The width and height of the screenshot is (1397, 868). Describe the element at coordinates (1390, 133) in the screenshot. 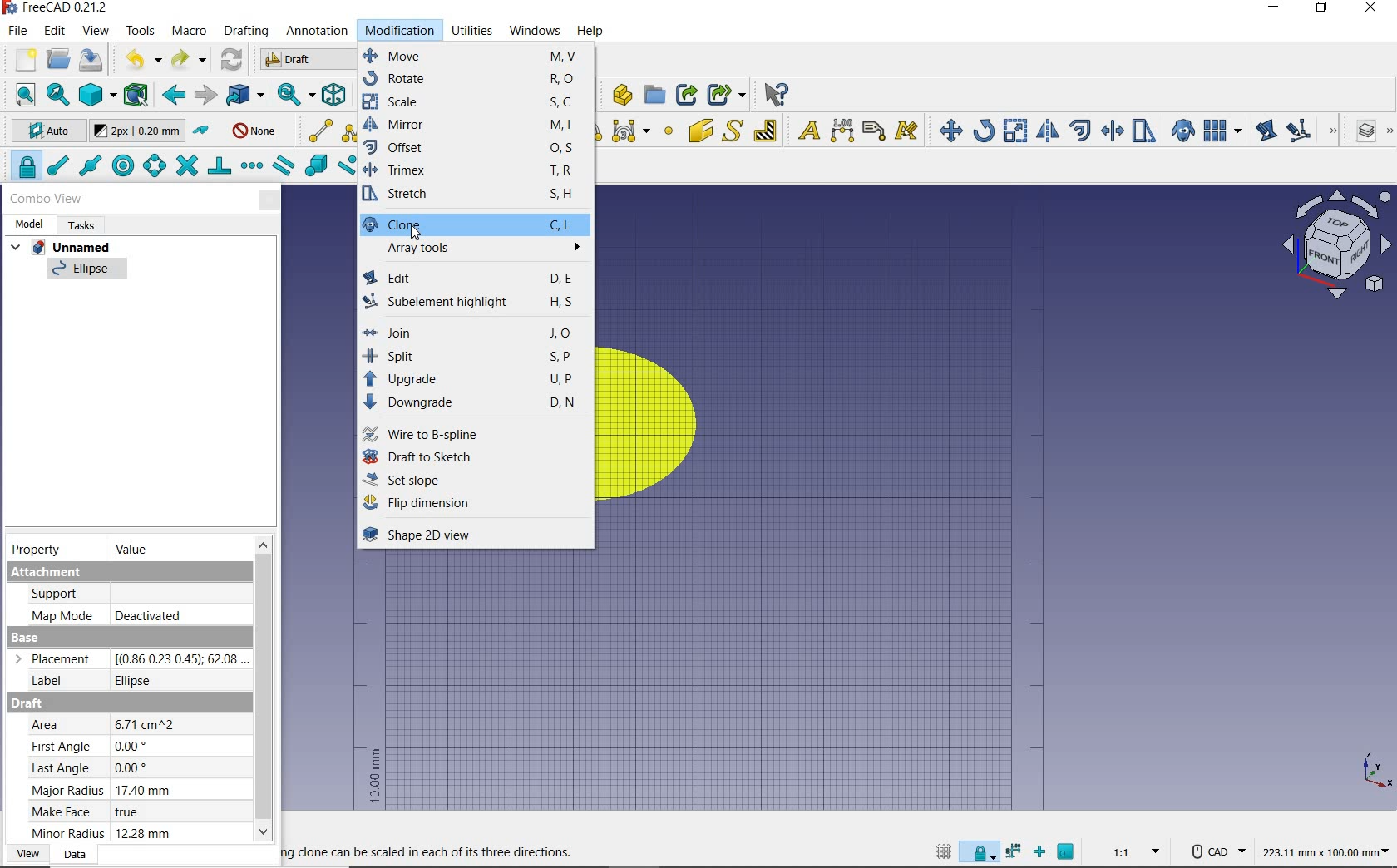

I see `draft utility tools` at that location.